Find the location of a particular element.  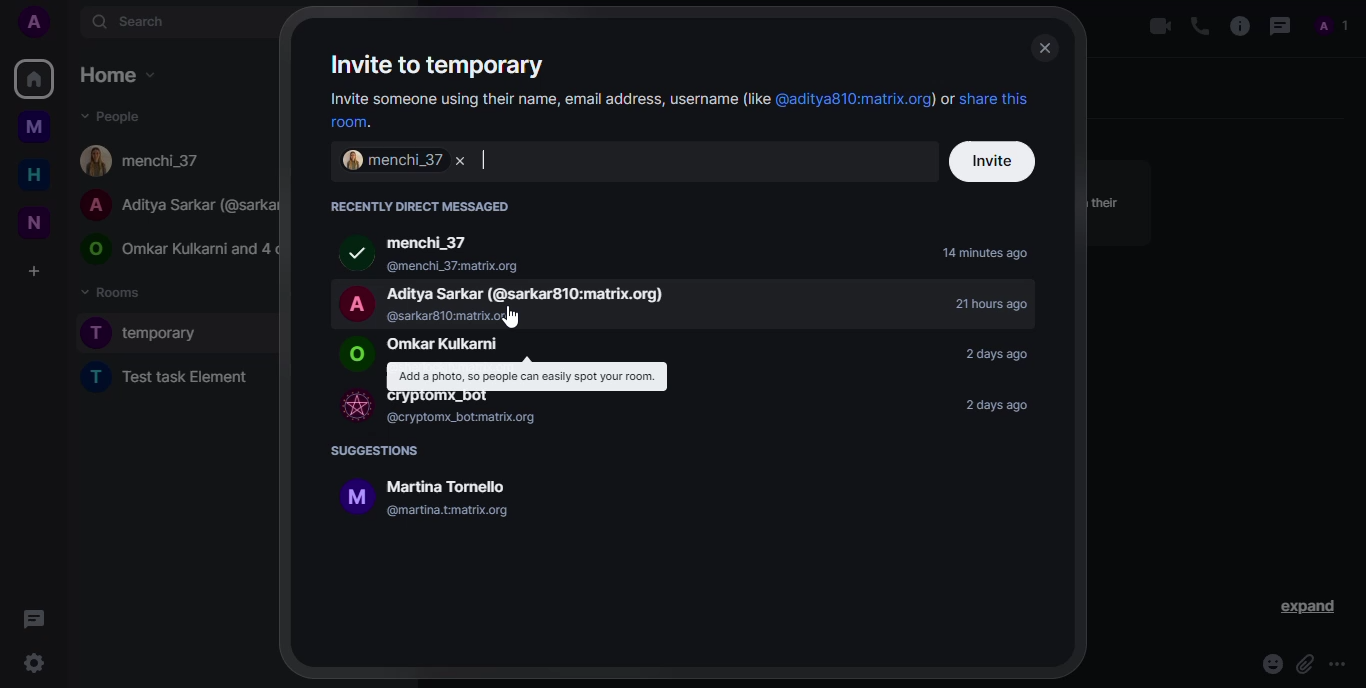

search is located at coordinates (133, 23).